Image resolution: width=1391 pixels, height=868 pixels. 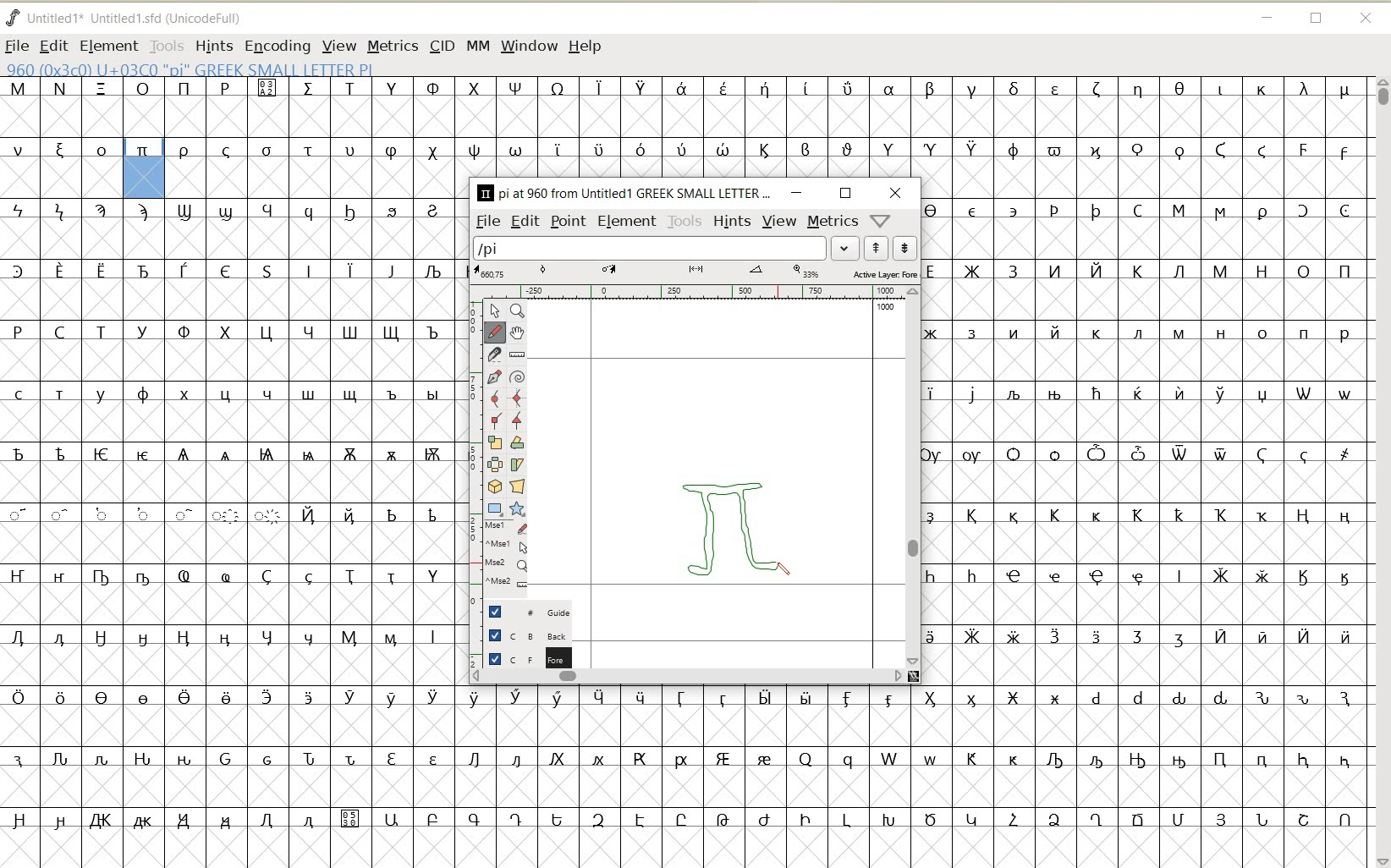 I want to click on glyph name, so click(x=623, y=191).